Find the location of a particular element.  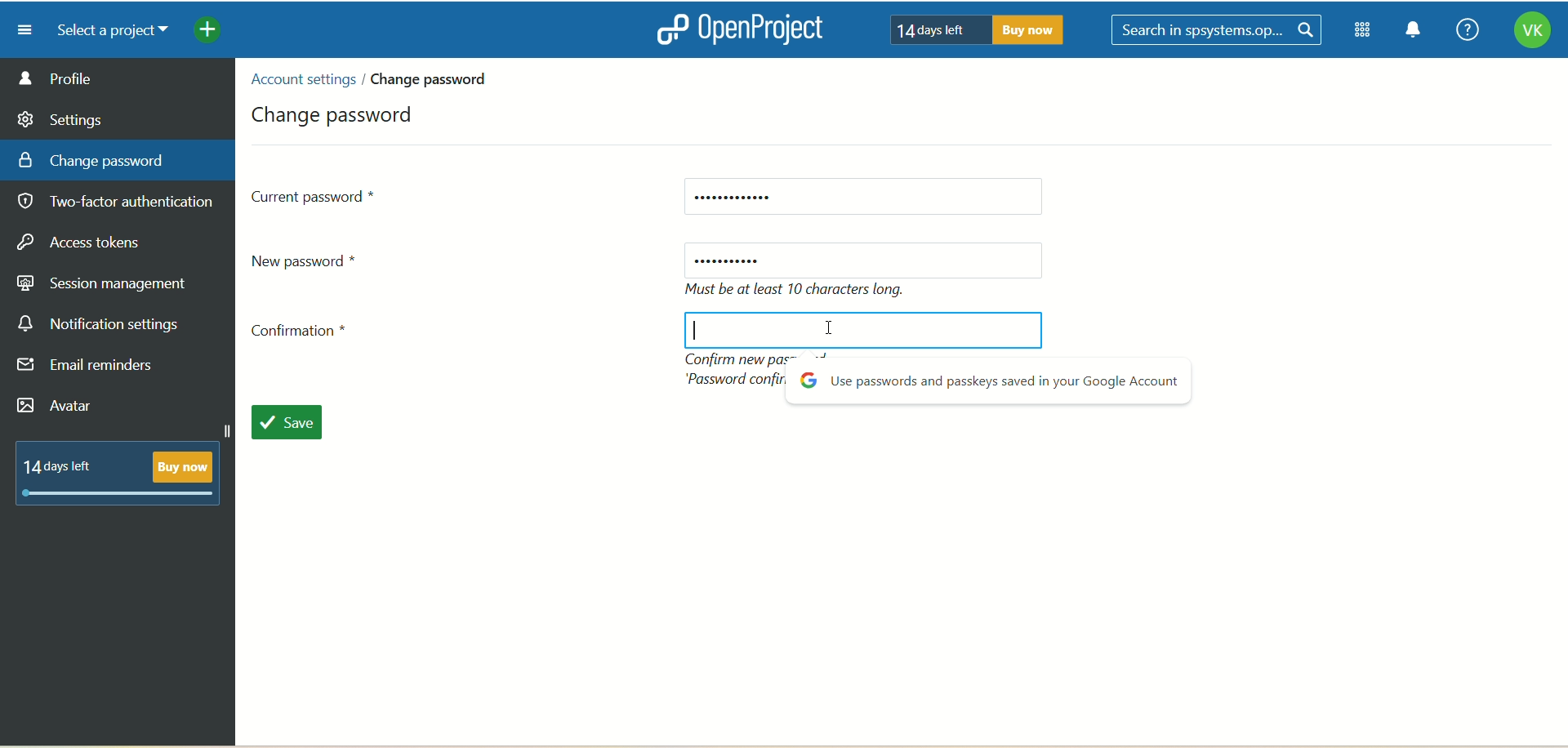

email reminders is located at coordinates (90, 368).